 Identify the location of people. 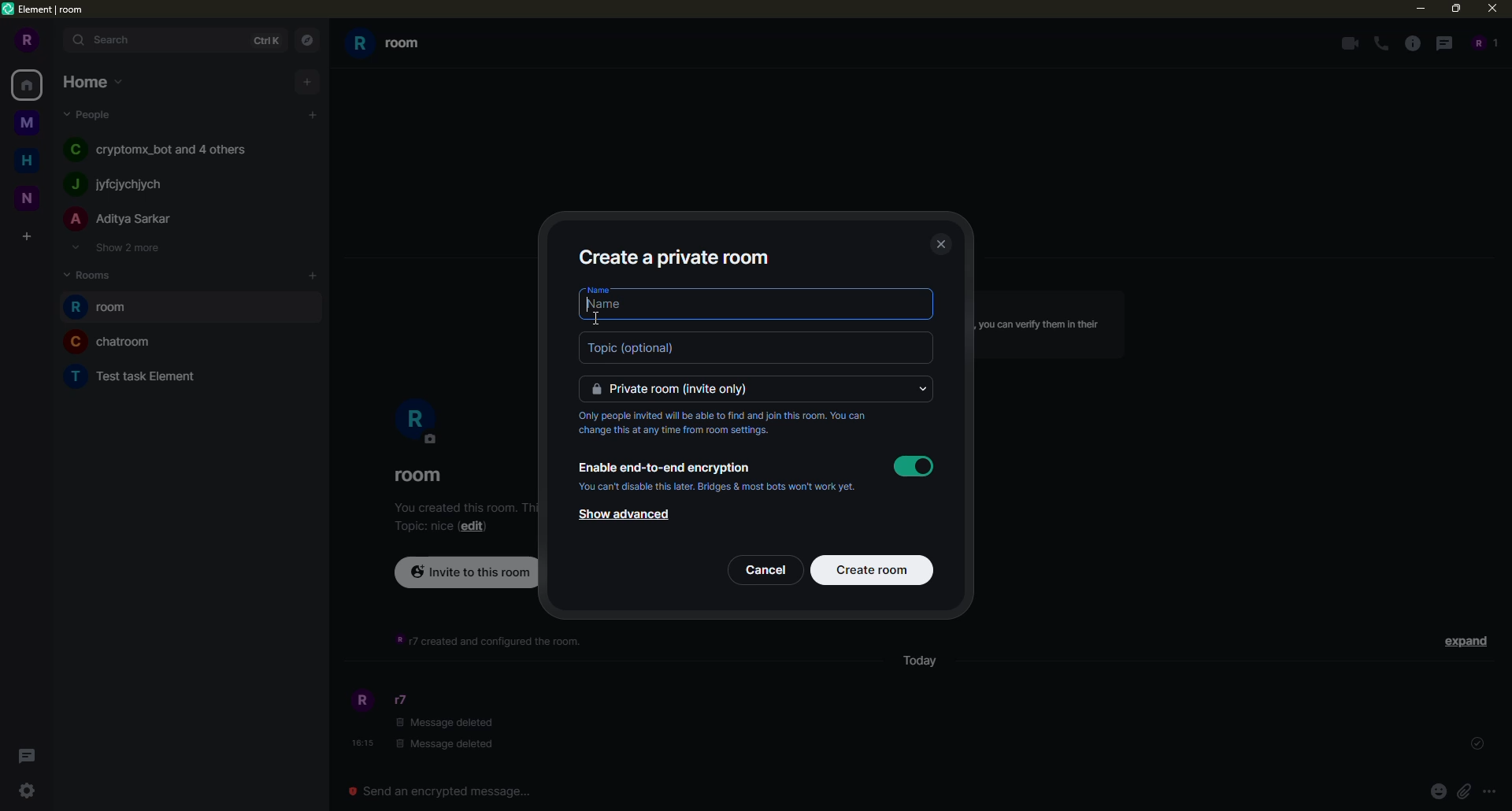
(92, 112).